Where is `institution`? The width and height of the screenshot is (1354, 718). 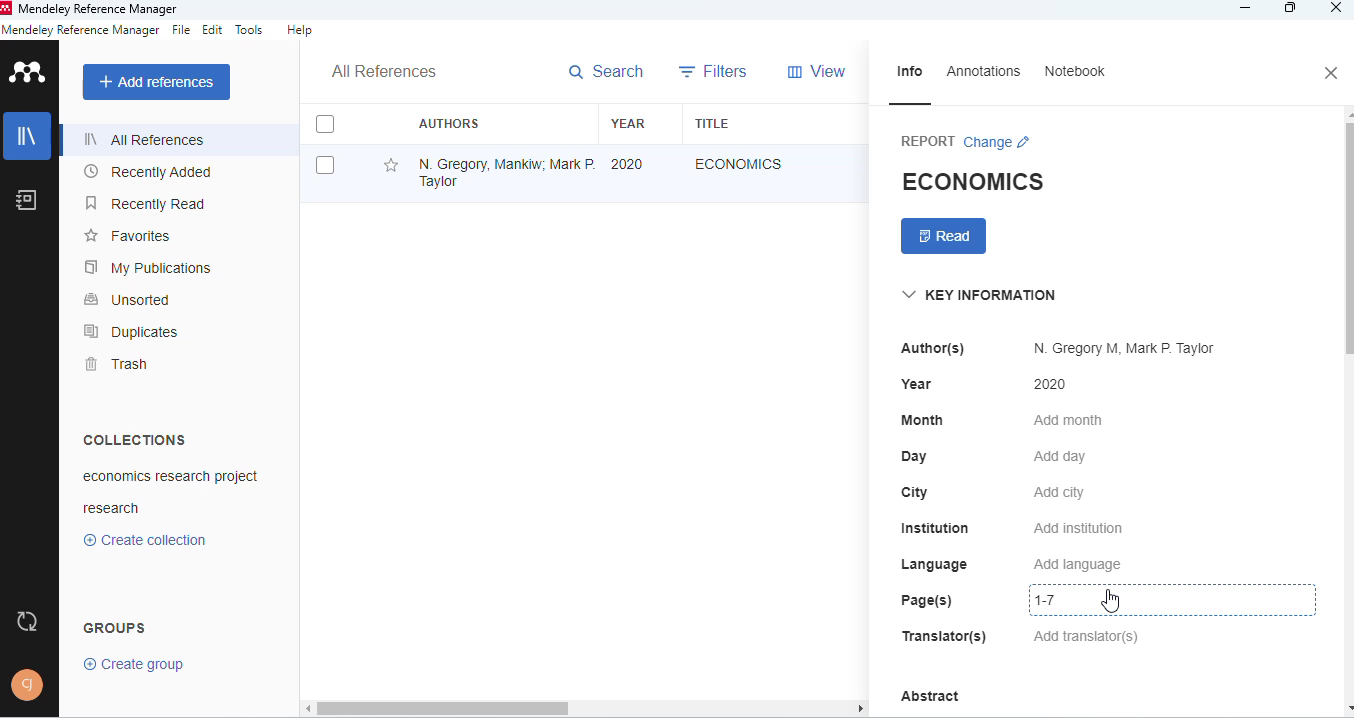
institution is located at coordinates (936, 528).